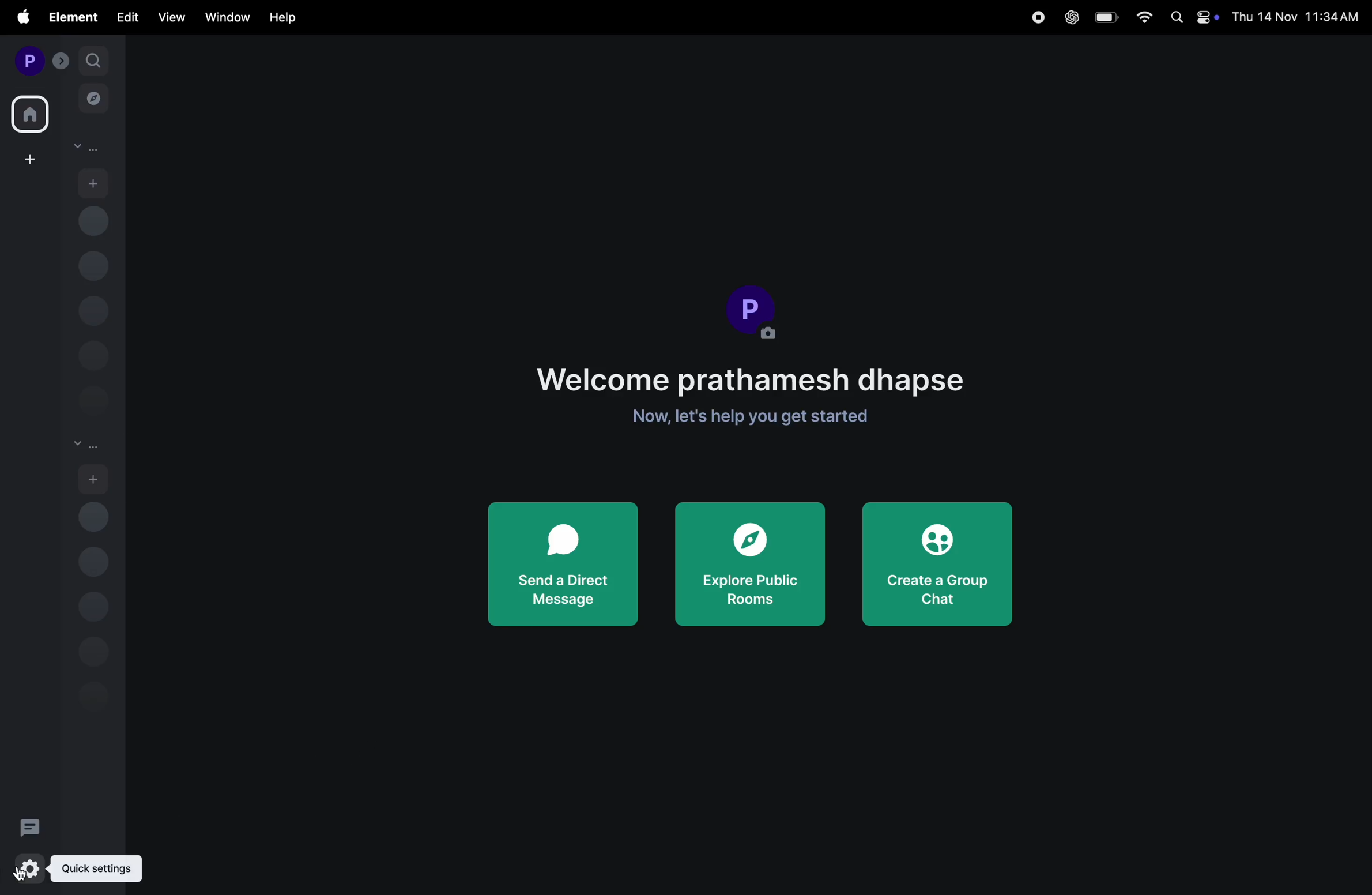 The image size is (1372, 895). Describe the element at coordinates (1297, 17) in the screenshot. I see `Date and time` at that location.